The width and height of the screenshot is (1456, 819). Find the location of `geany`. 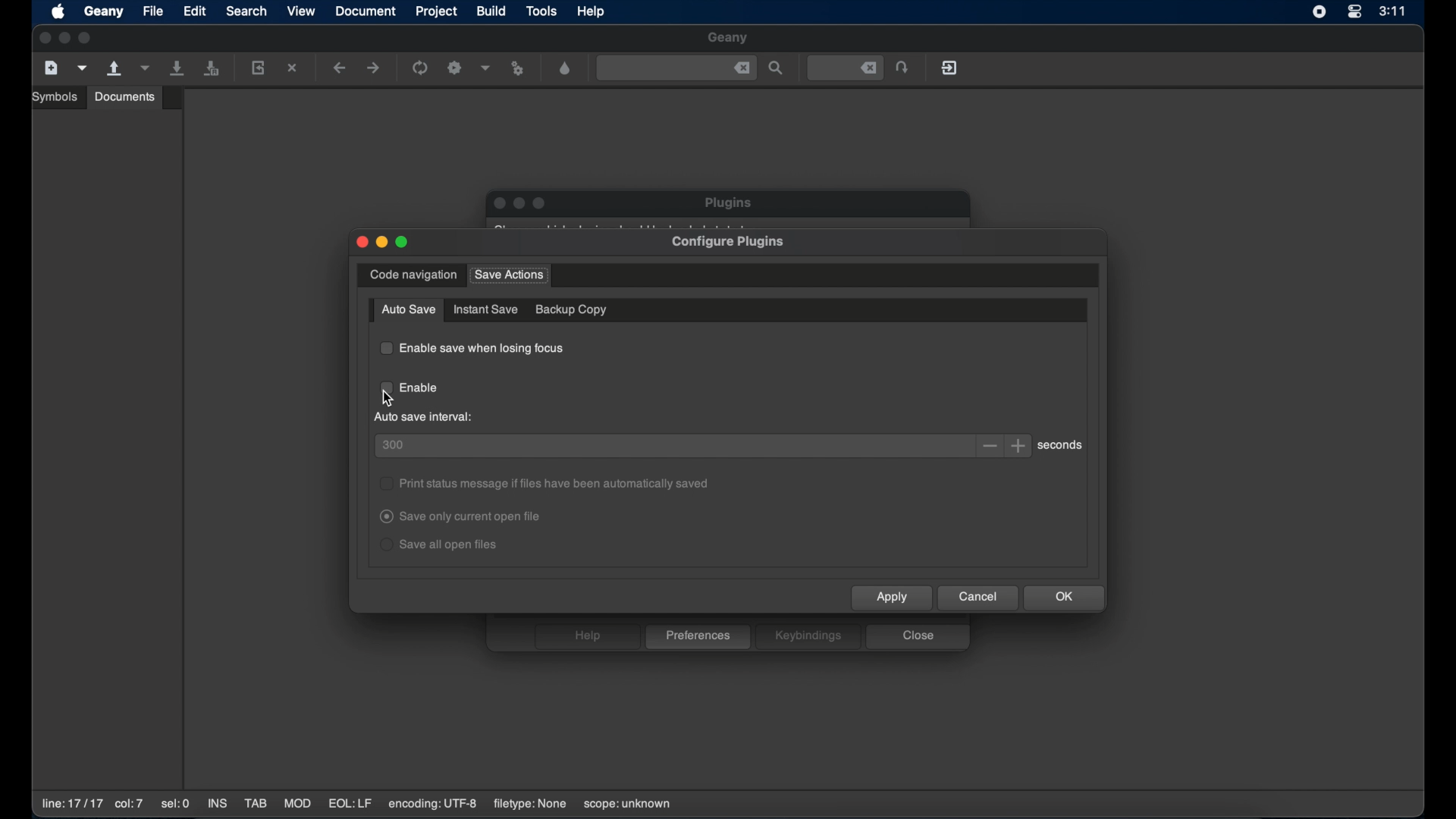

geany is located at coordinates (104, 12).